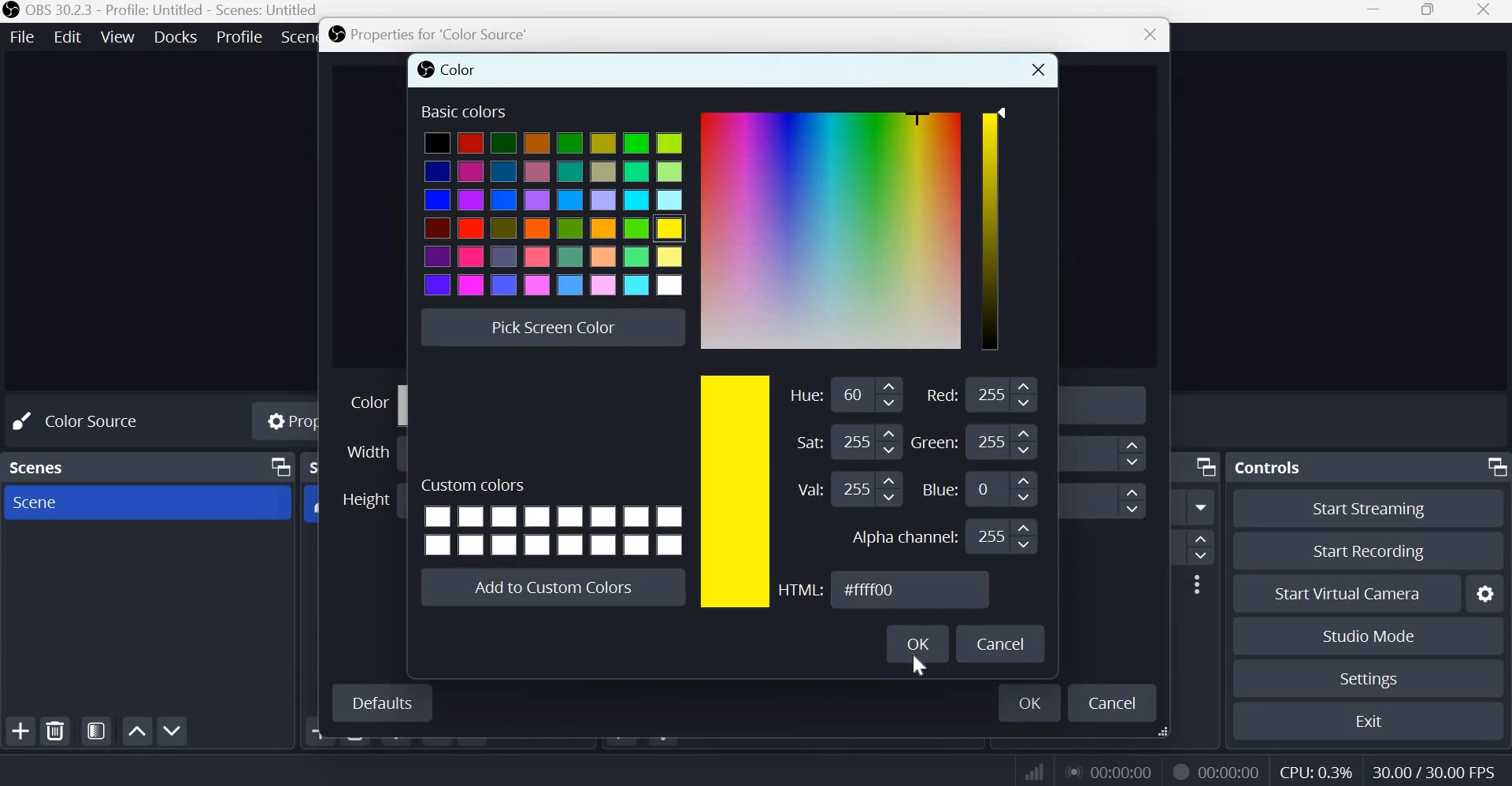 The width and height of the screenshot is (1512, 786). What do you see at coordinates (1366, 636) in the screenshot?
I see `Studio mode` at bounding box center [1366, 636].